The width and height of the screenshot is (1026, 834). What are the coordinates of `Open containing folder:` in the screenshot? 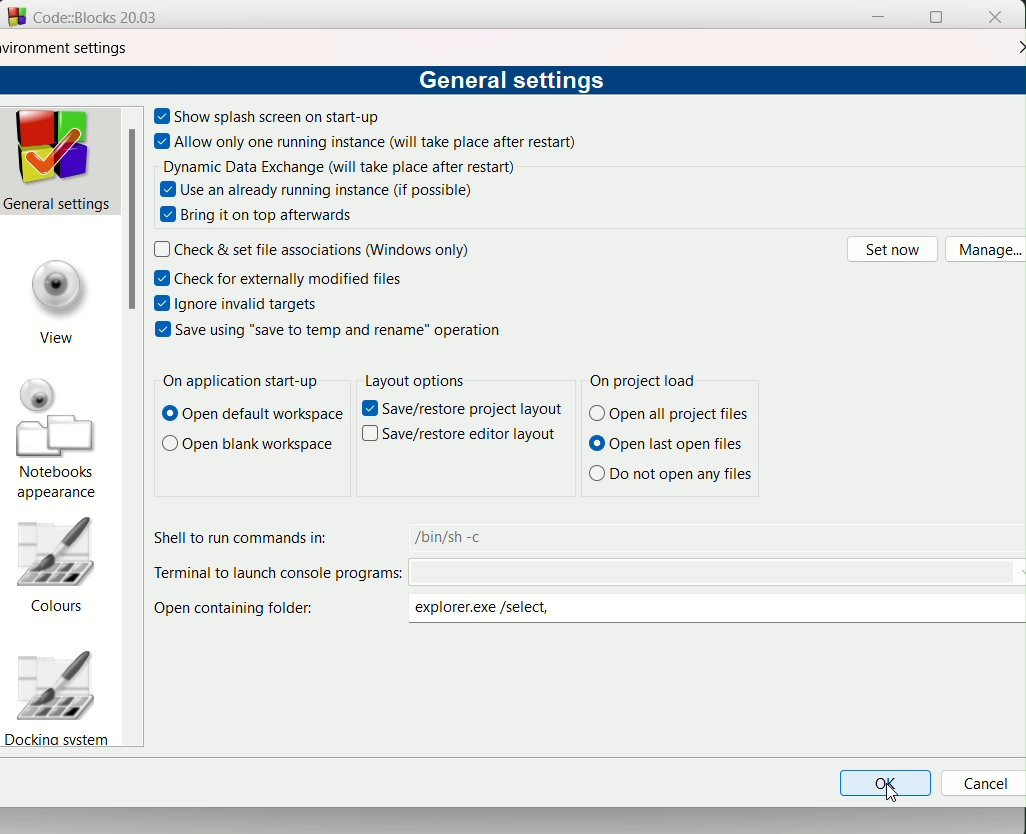 It's located at (244, 614).